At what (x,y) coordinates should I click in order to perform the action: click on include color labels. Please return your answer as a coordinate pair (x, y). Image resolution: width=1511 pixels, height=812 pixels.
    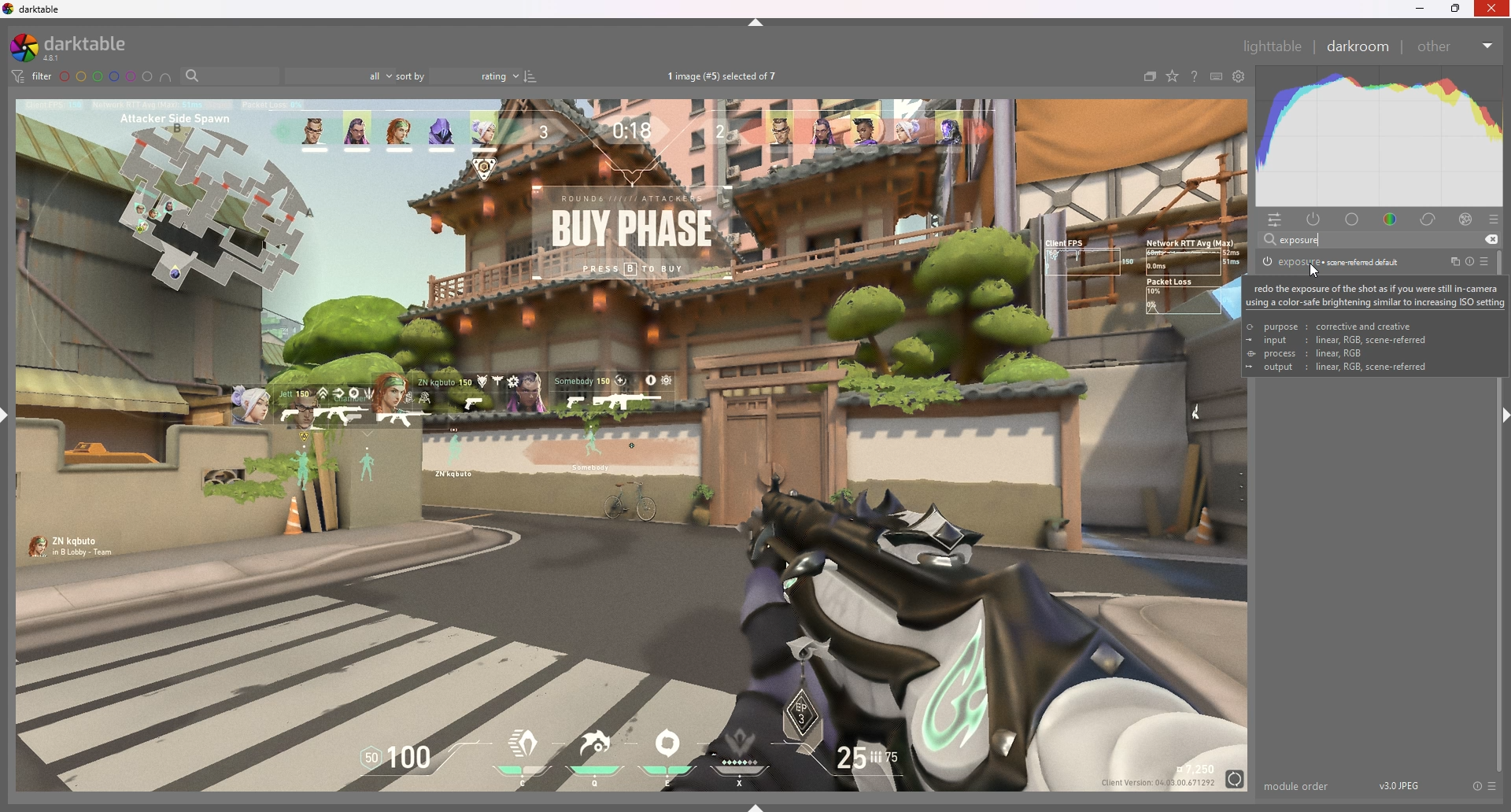
    Looking at the image, I should click on (168, 77).